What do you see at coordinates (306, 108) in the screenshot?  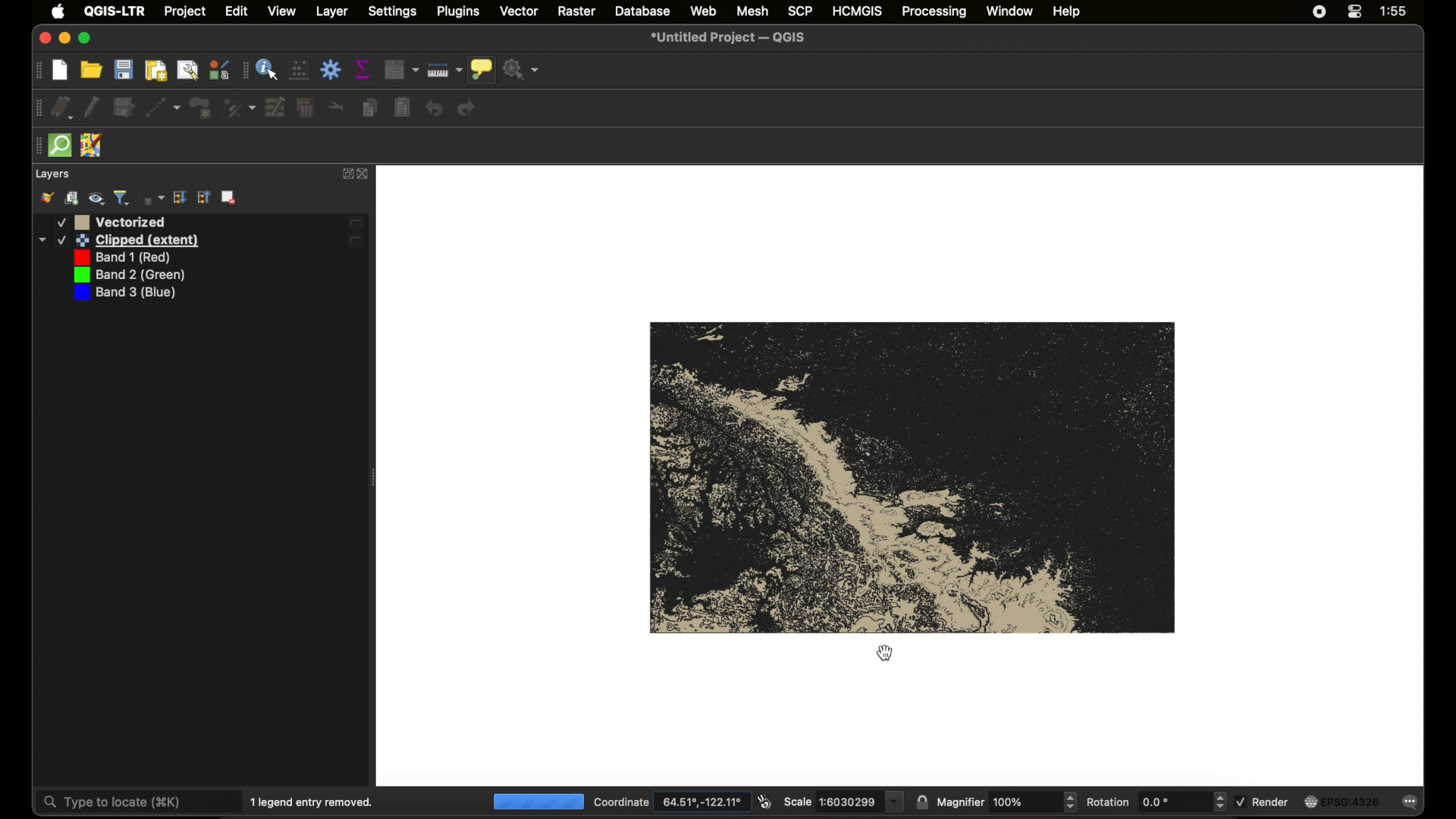 I see `delete selected` at bounding box center [306, 108].